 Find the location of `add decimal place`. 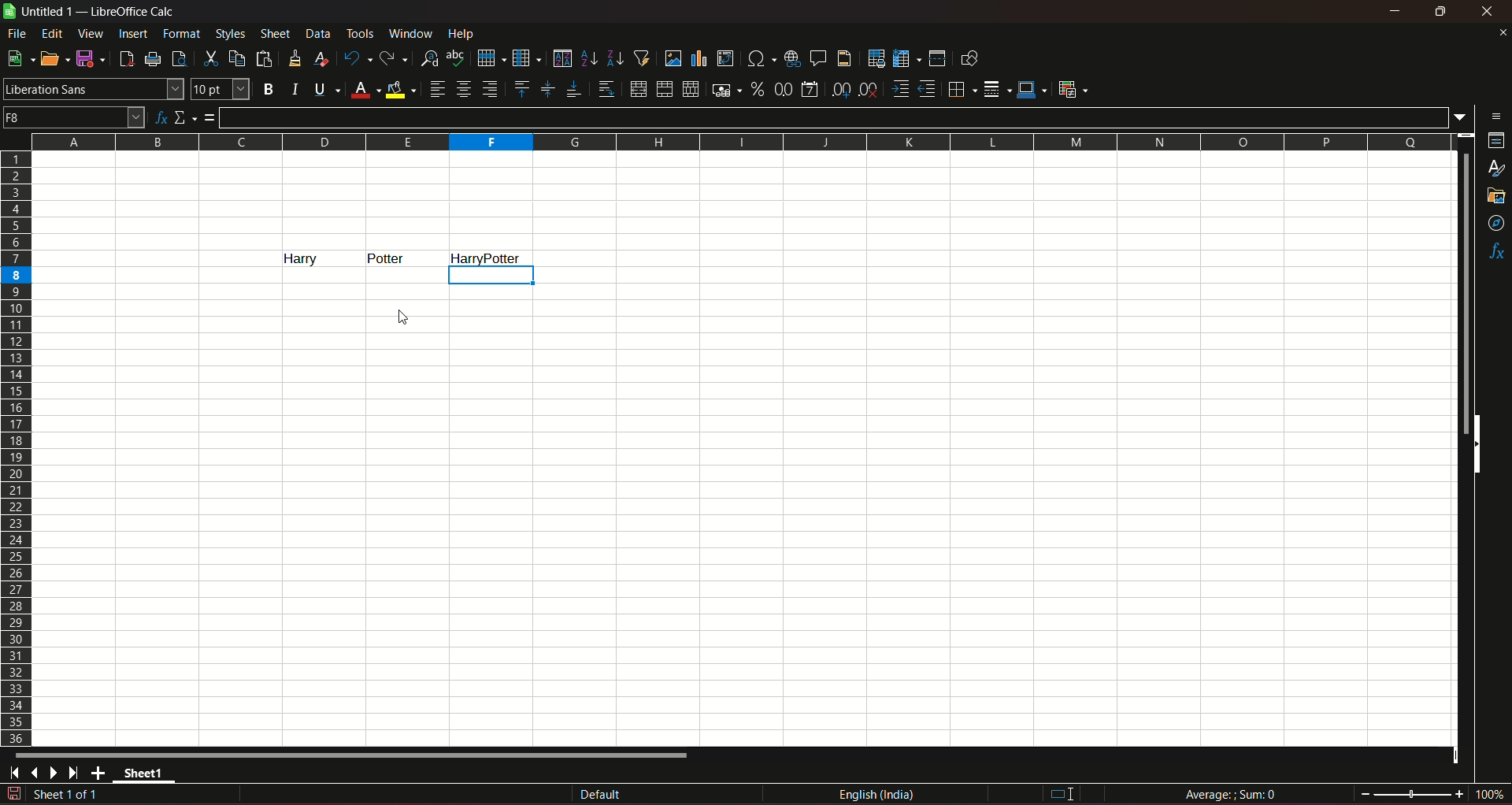

add decimal place is located at coordinates (838, 90).